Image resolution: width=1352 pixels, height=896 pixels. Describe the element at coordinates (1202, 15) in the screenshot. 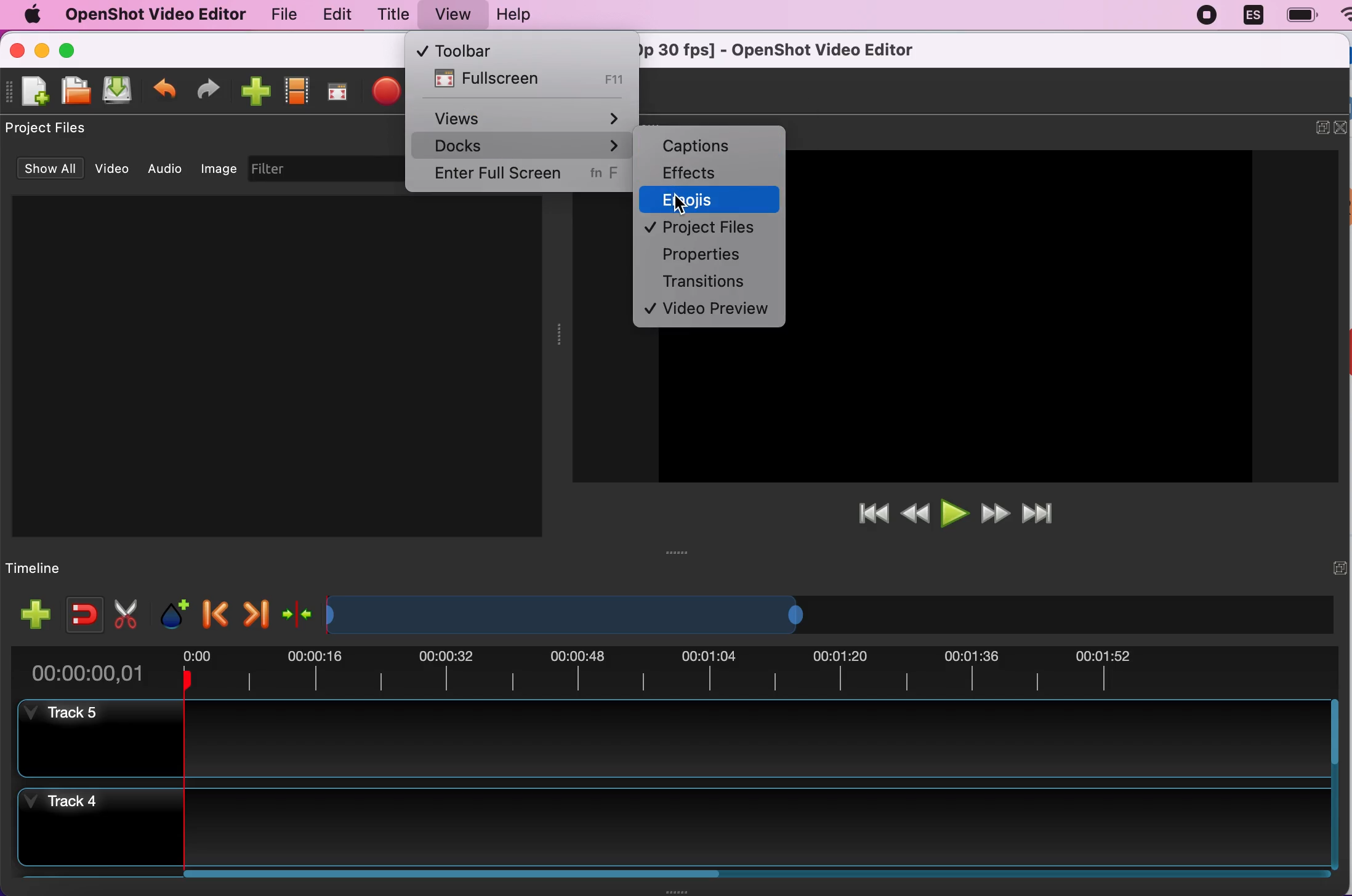

I see `recording stopped` at that location.